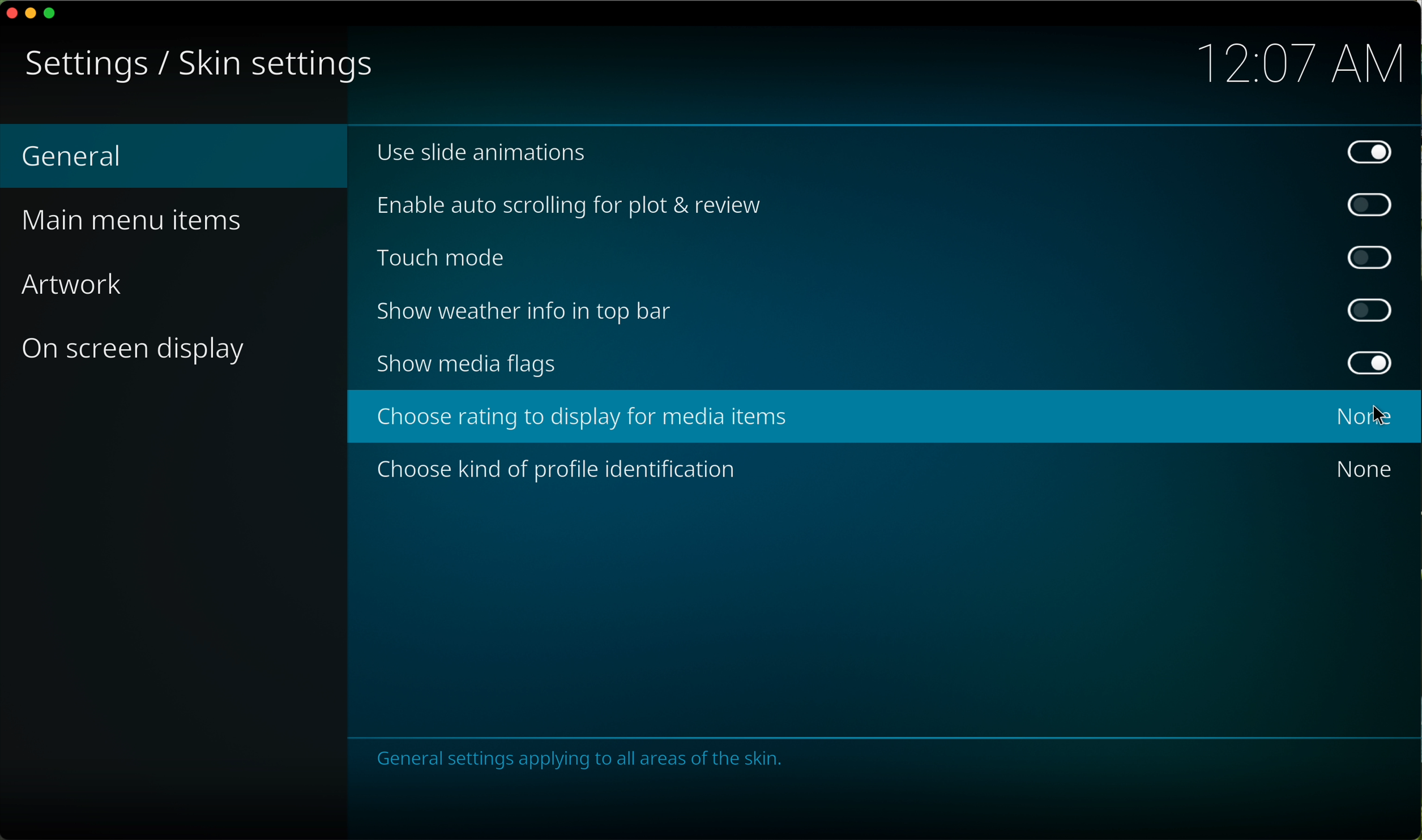 The image size is (1422, 840). Describe the element at coordinates (133, 350) in the screenshot. I see `on screen display` at that location.